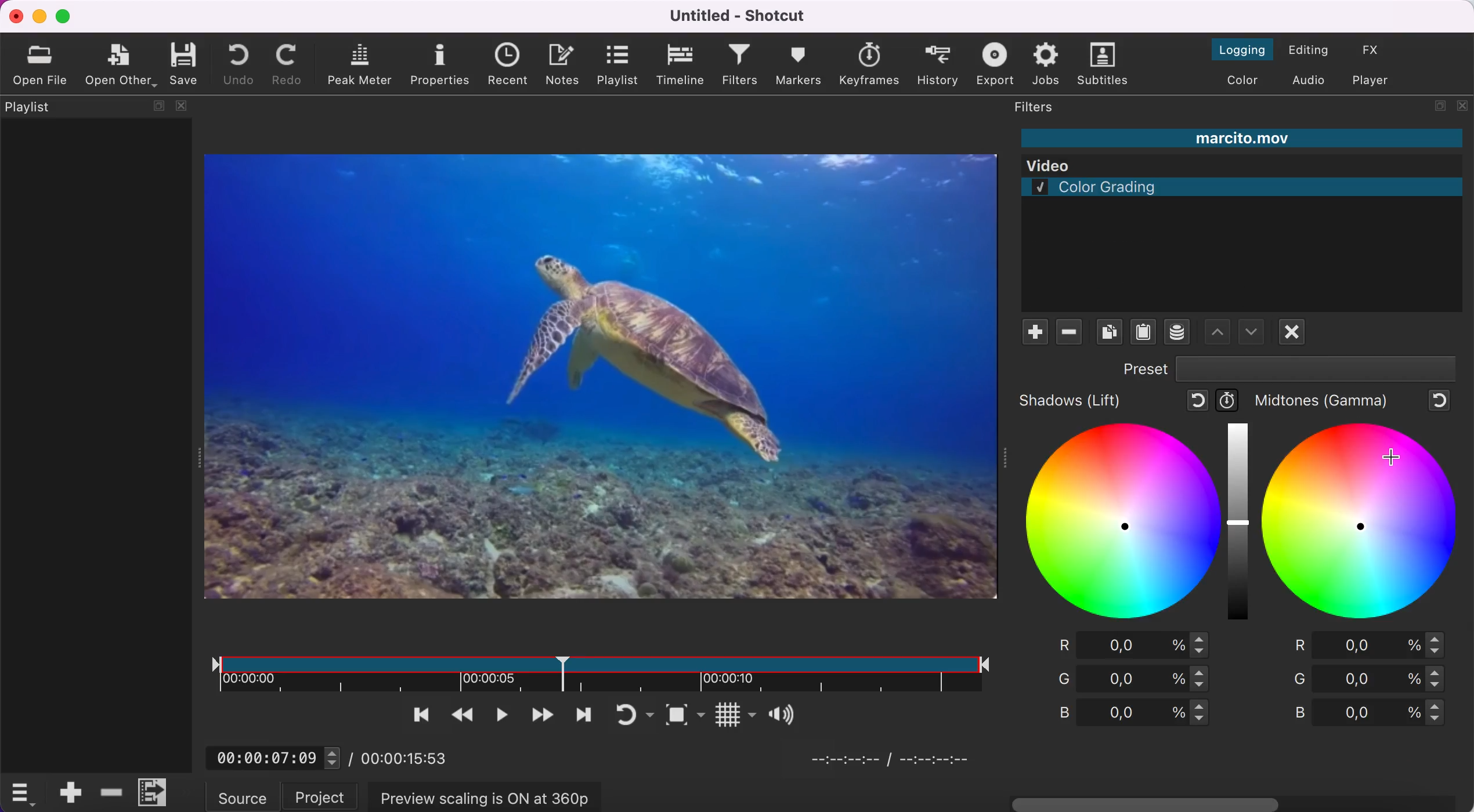  Describe the element at coordinates (1364, 521) in the screenshot. I see `midtones figure` at that location.